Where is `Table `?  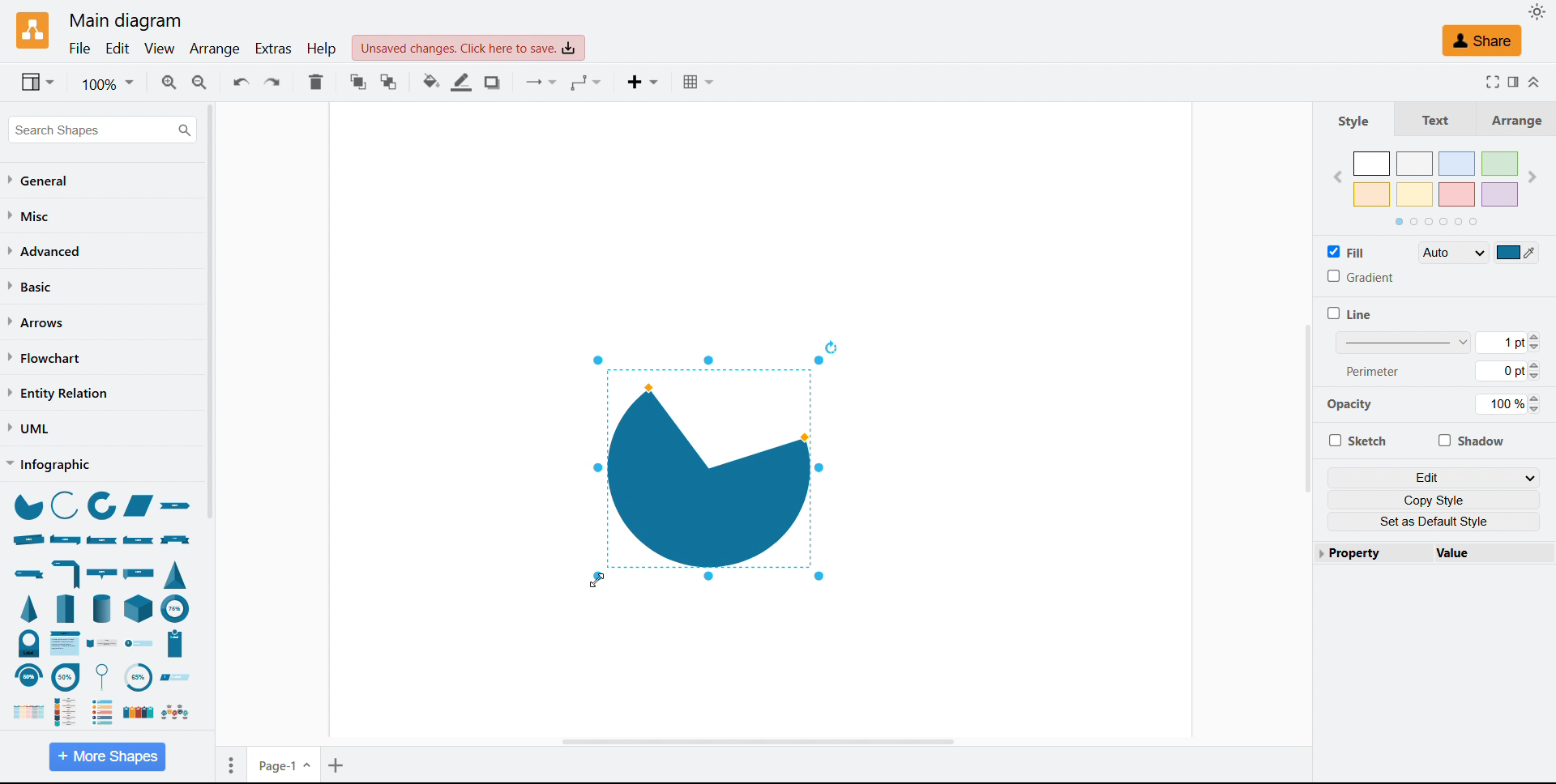 Table  is located at coordinates (702, 82).